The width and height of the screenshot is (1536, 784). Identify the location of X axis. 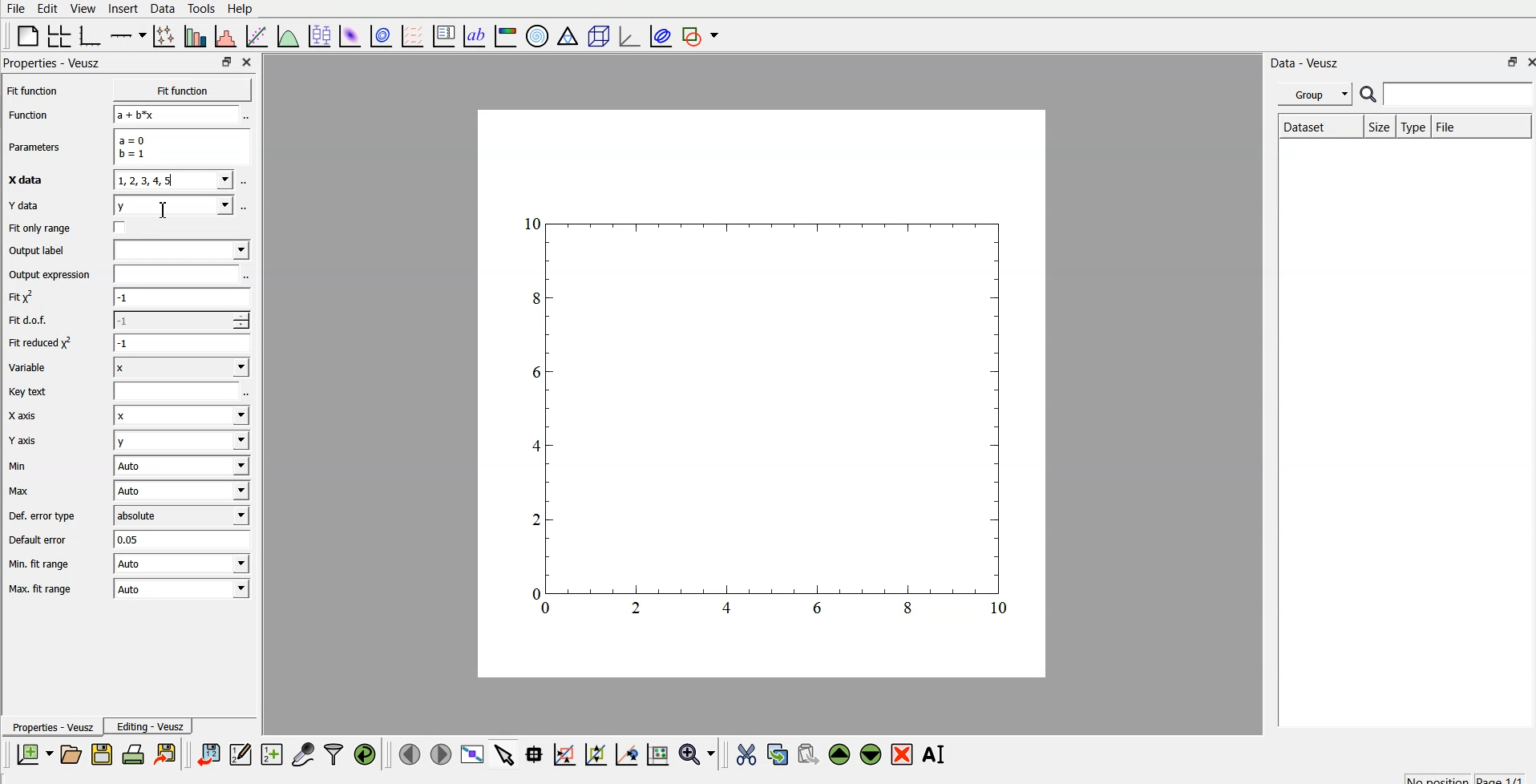
(38, 417).